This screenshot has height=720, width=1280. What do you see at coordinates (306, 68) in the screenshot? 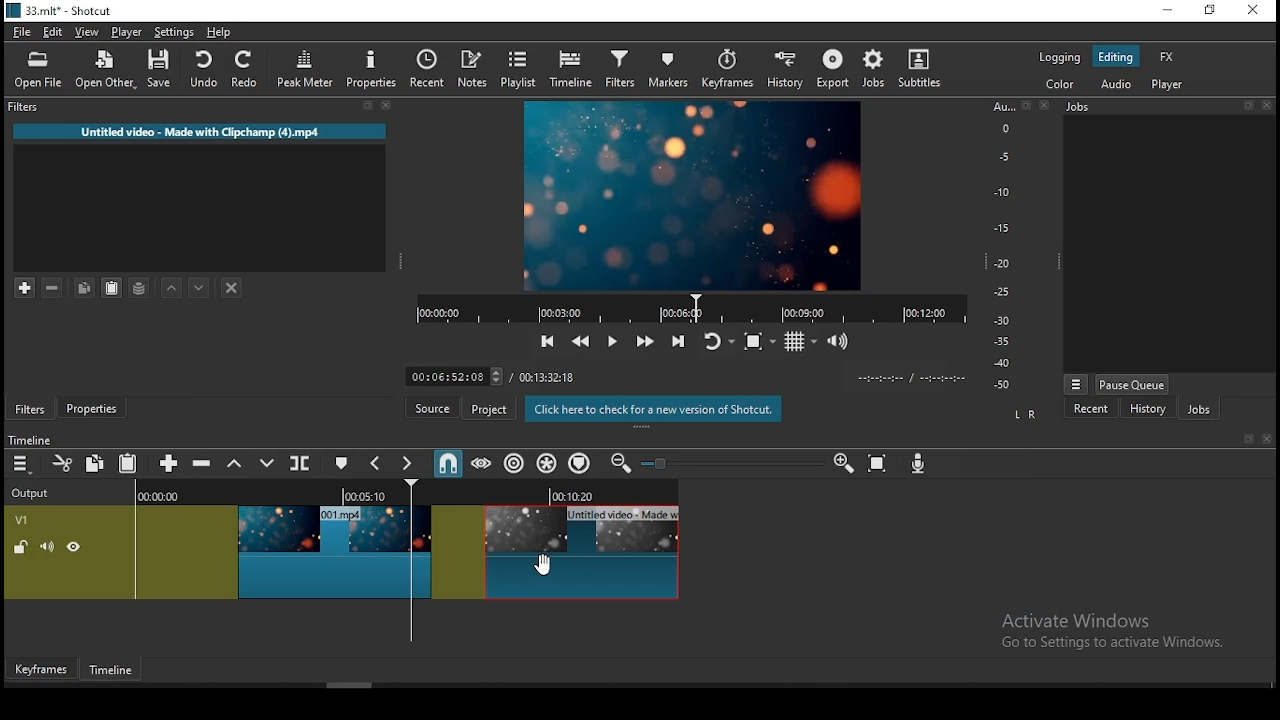
I see `peak meter` at bounding box center [306, 68].